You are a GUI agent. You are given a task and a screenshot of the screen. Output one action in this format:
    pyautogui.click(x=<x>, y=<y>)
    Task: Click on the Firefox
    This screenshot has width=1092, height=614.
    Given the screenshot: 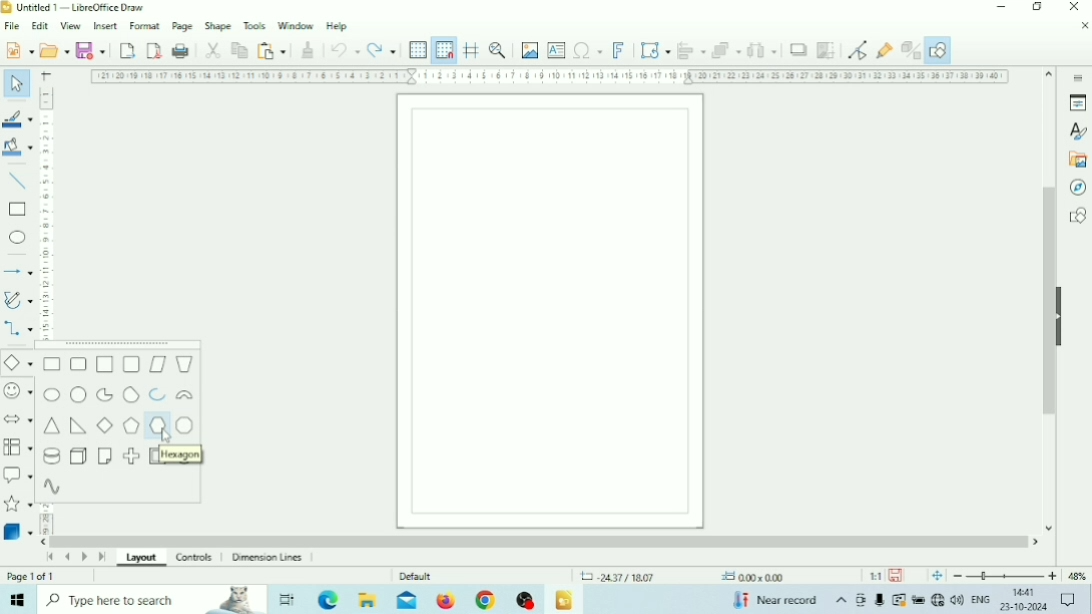 What is the action you would take?
    pyautogui.click(x=446, y=600)
    